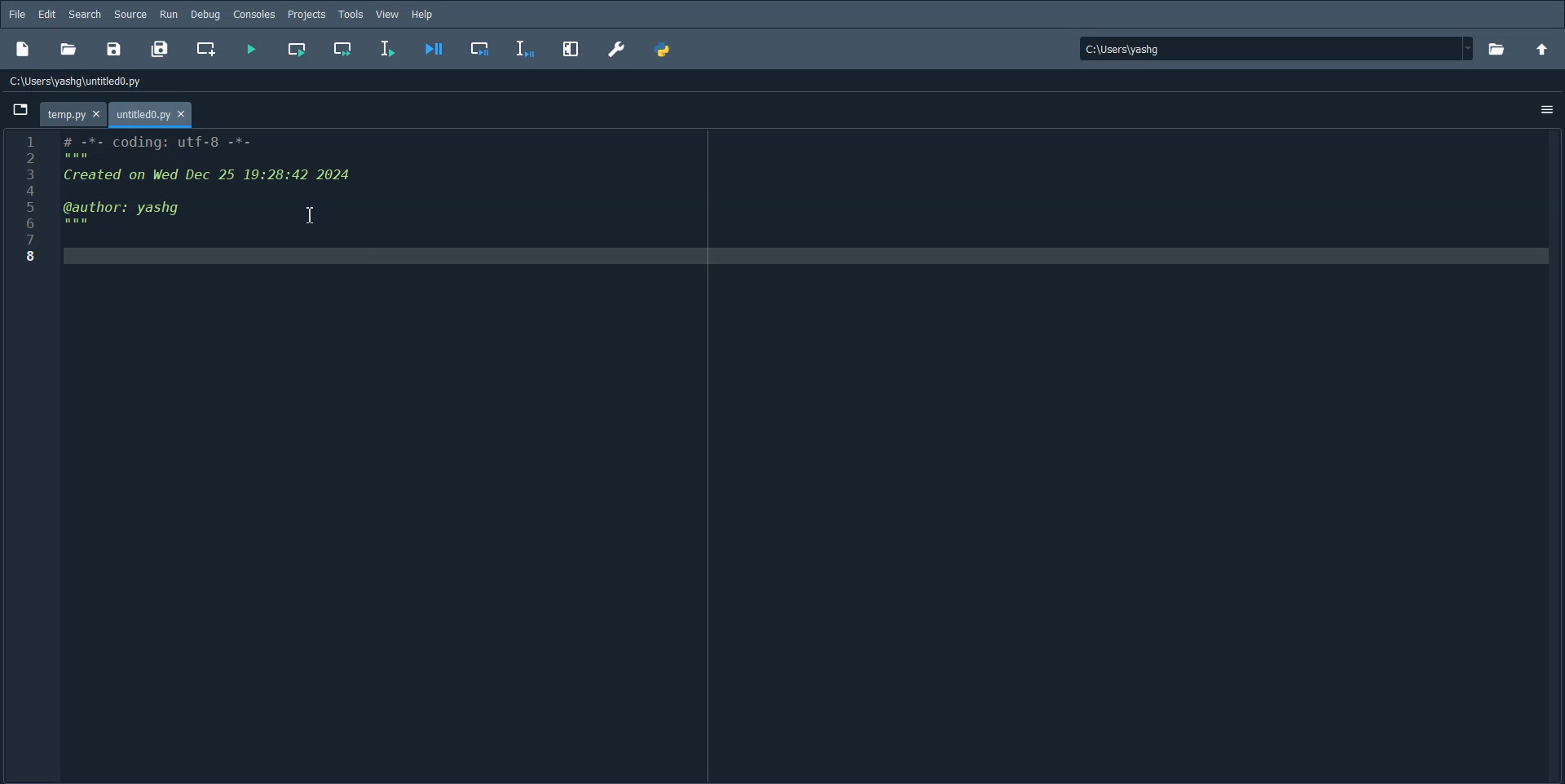 The image size is (1565, 784). What do you see at coordinates (256, 14) in the screenshot?
I see `Consoles` at bounding box center [256, 14].